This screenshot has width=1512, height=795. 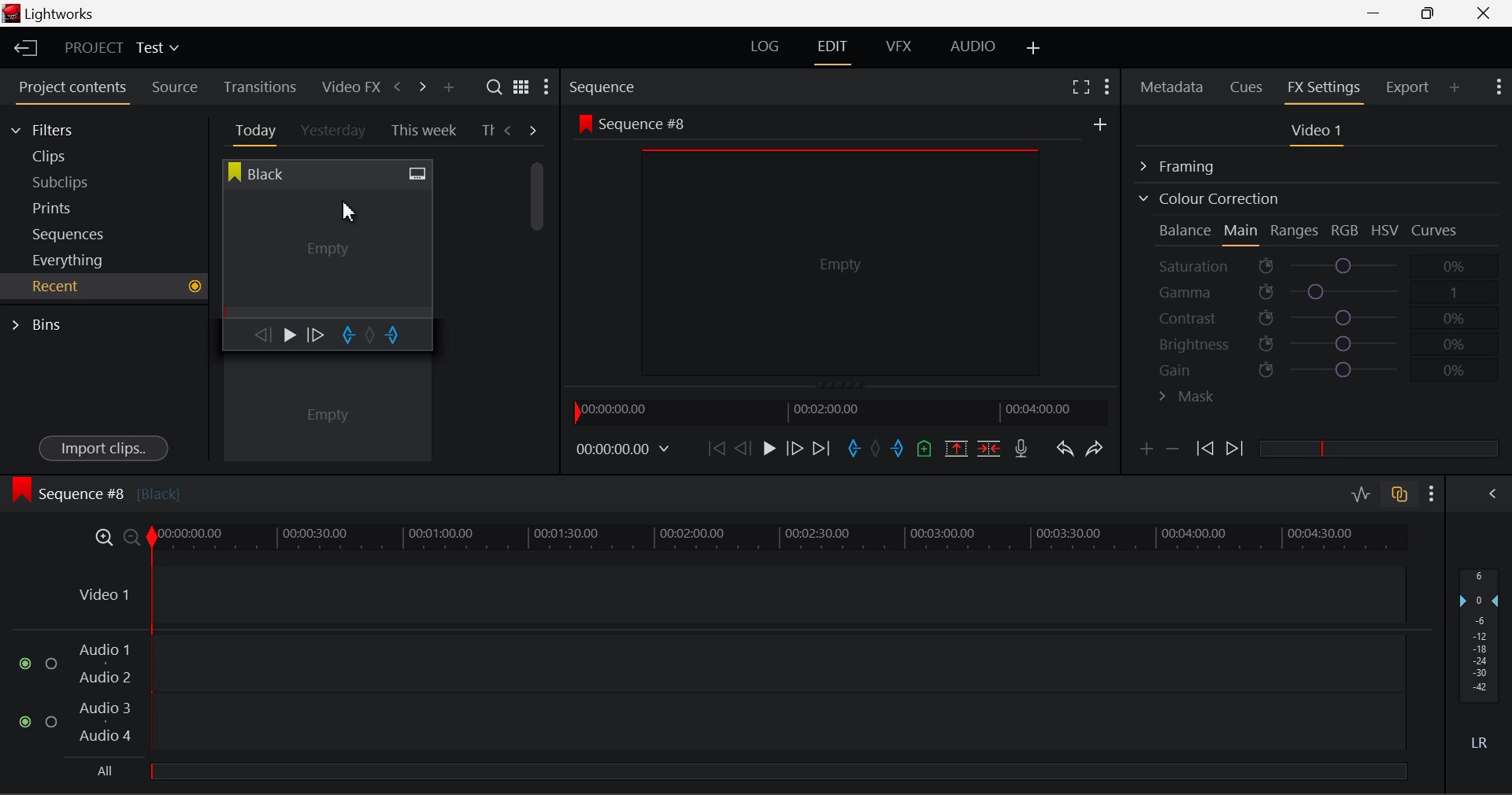 I want to click on Colour Correction, so click(x=1208, y=198).